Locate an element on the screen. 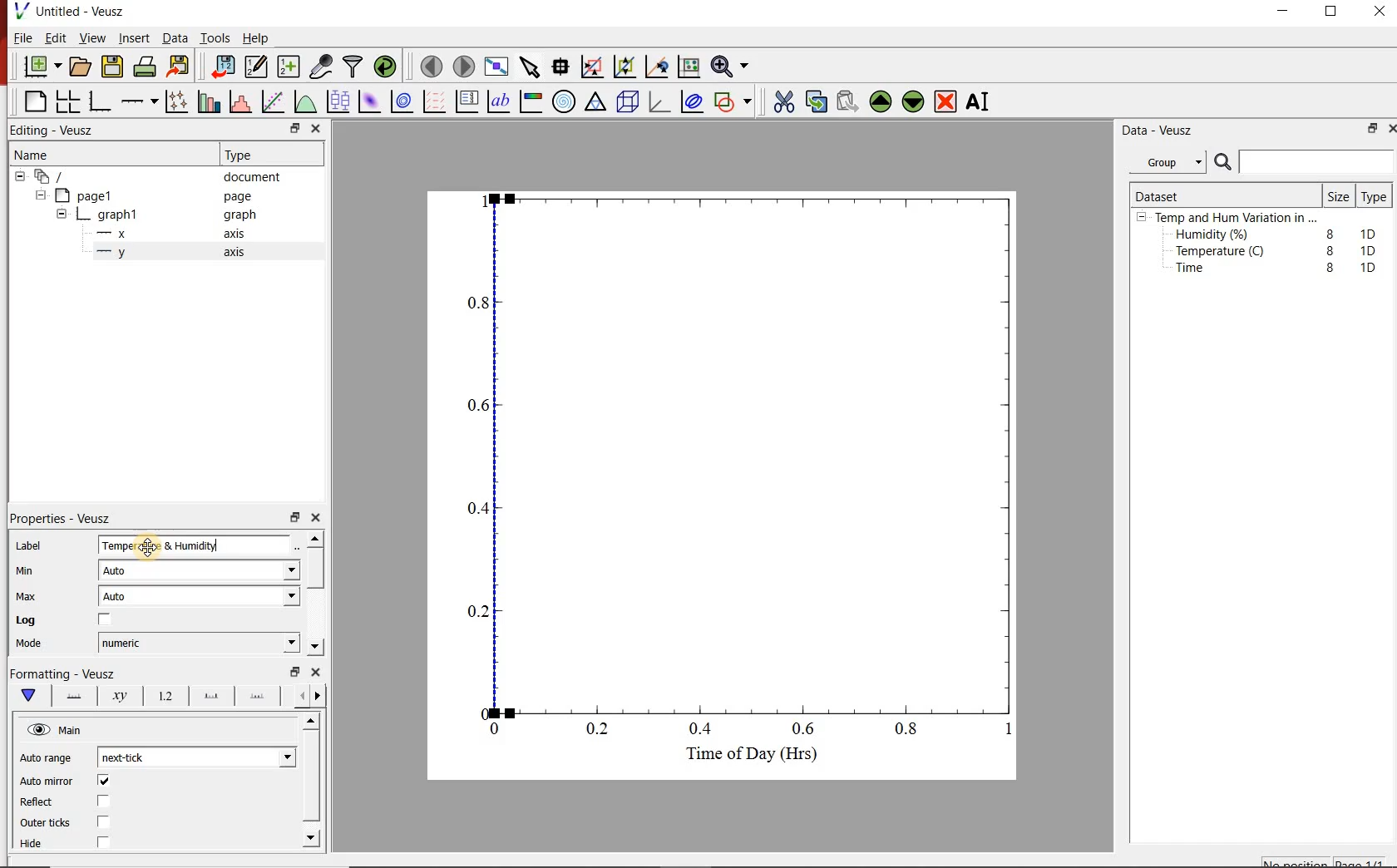 The height and width of the screenshot is (868, 1397). axis is located at coordinates (239, 235).